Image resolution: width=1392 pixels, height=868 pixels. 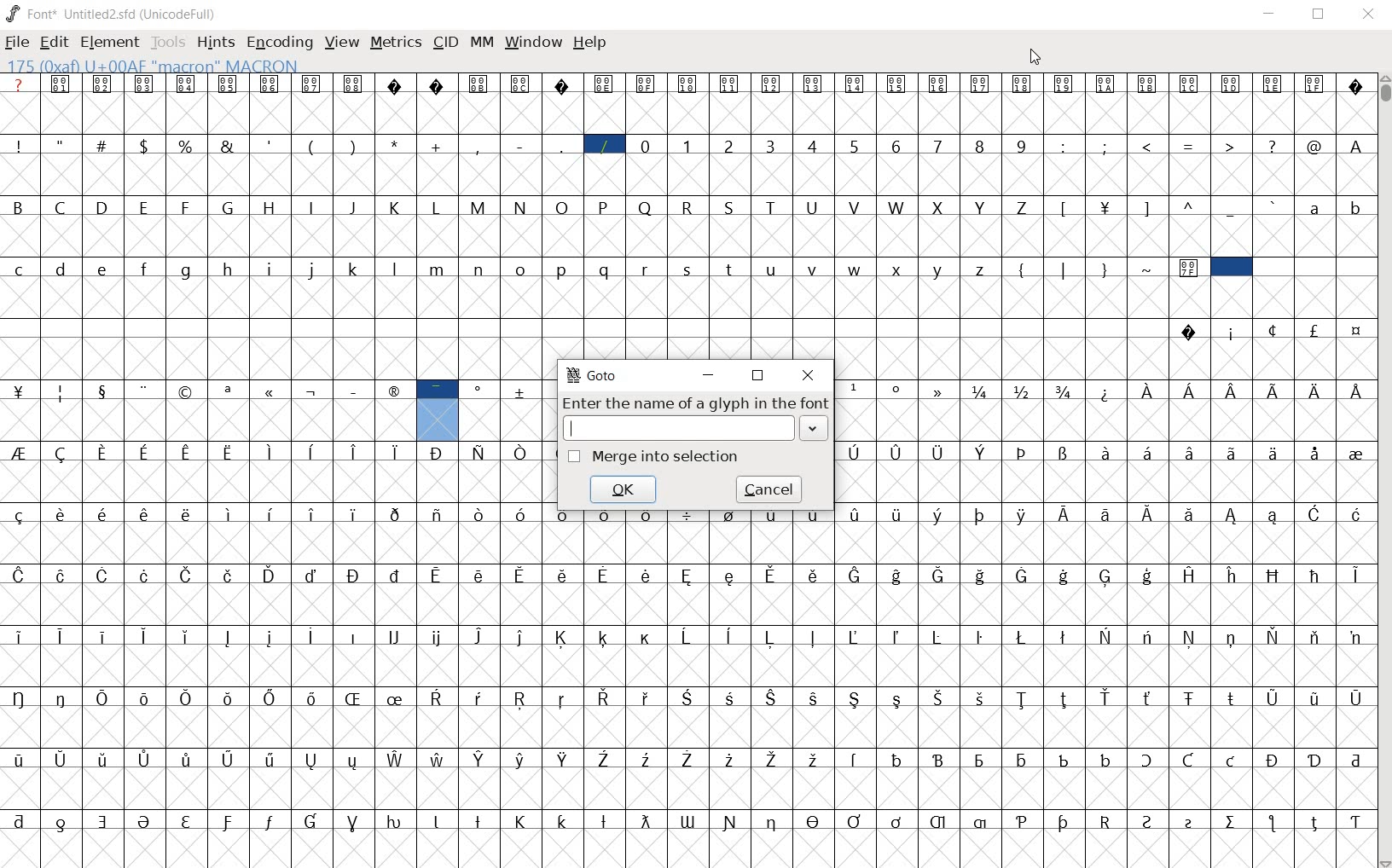 What do you see at coordinates (1208, 165) in the screenshot?
I see `special characters` at bounding box center [1208, 165].